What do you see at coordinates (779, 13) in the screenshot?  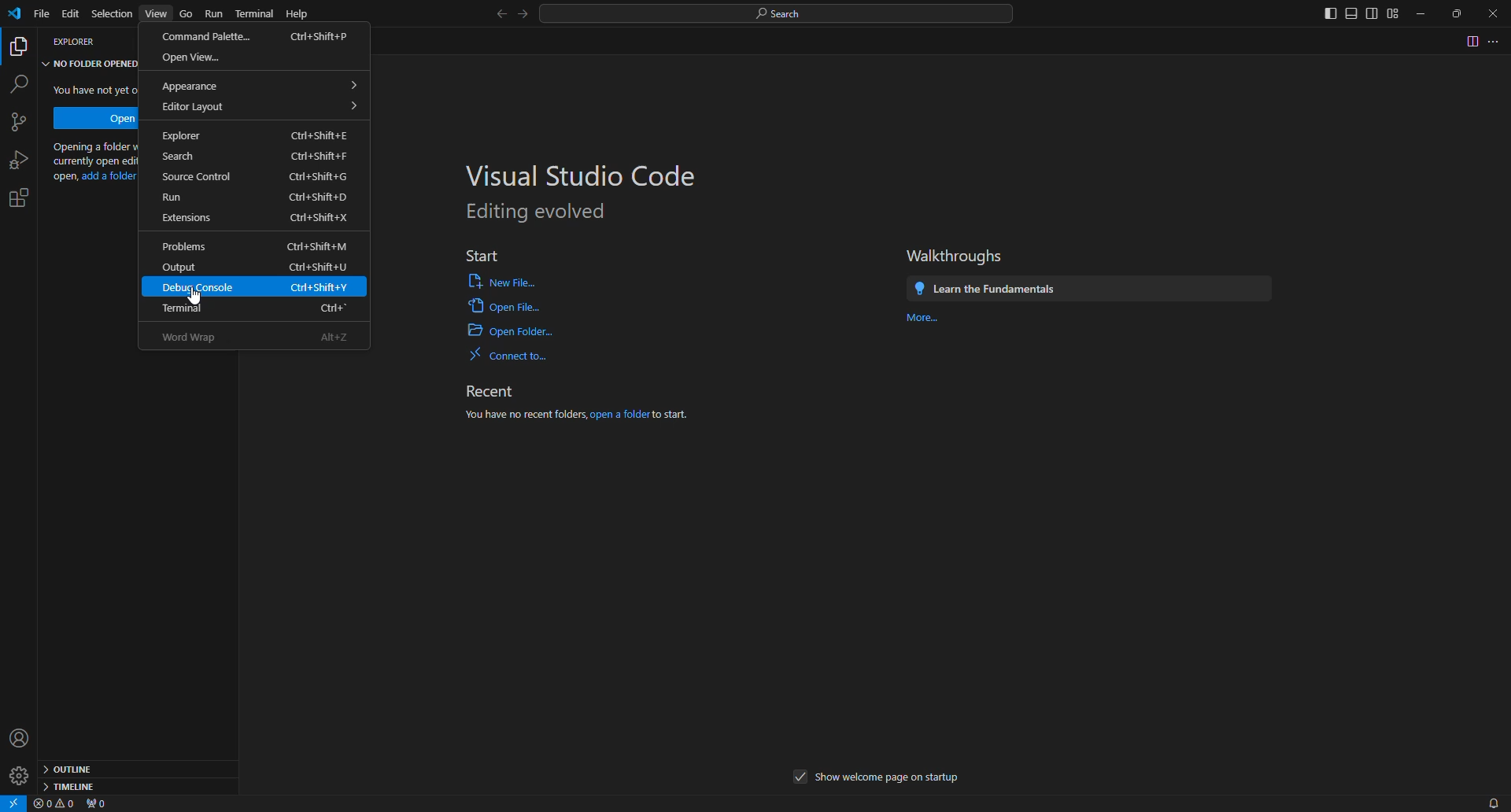 I see `Search` at bounding box center [779, 13].